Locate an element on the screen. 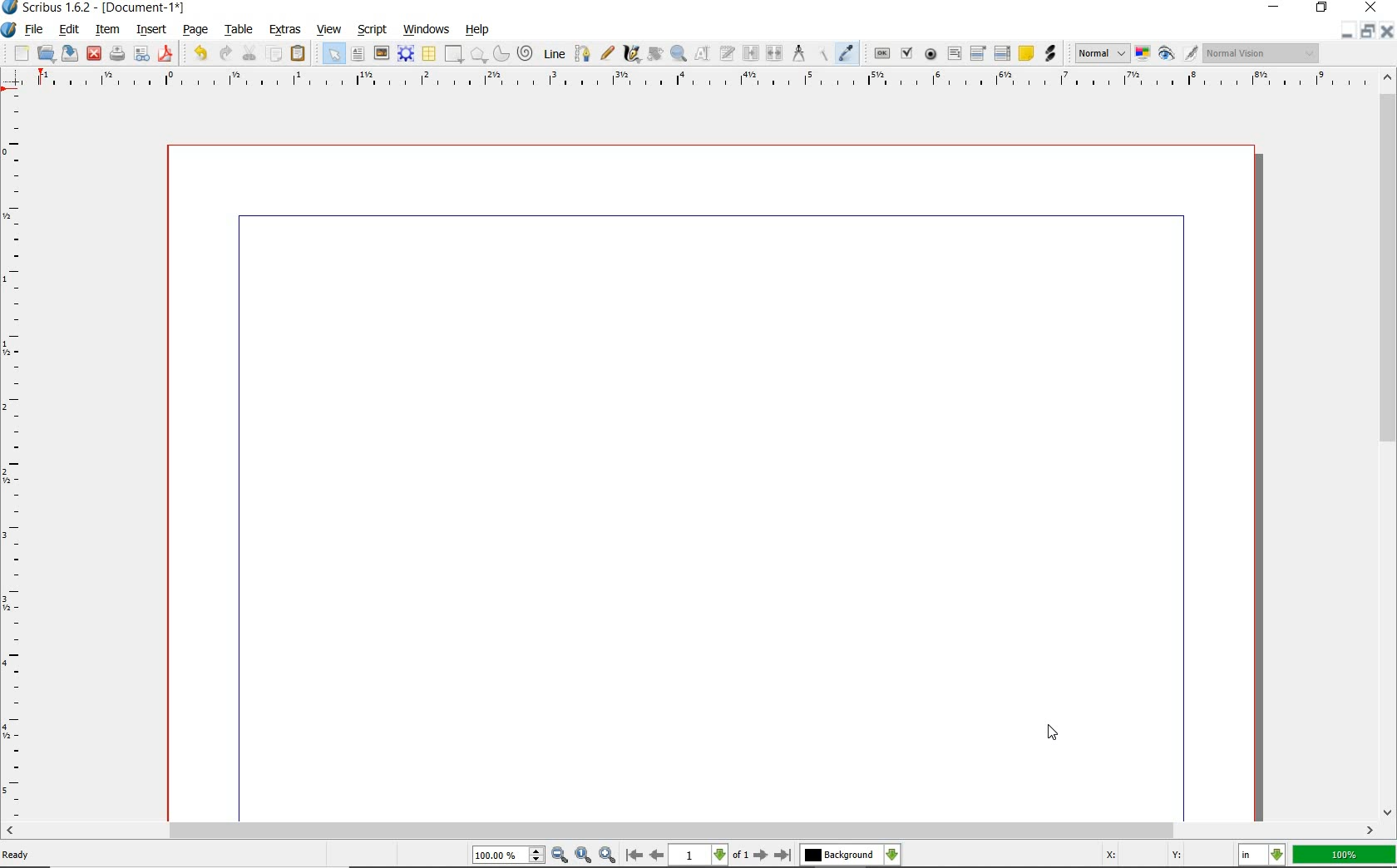  copy item properties is located at coordinates (824, 54).